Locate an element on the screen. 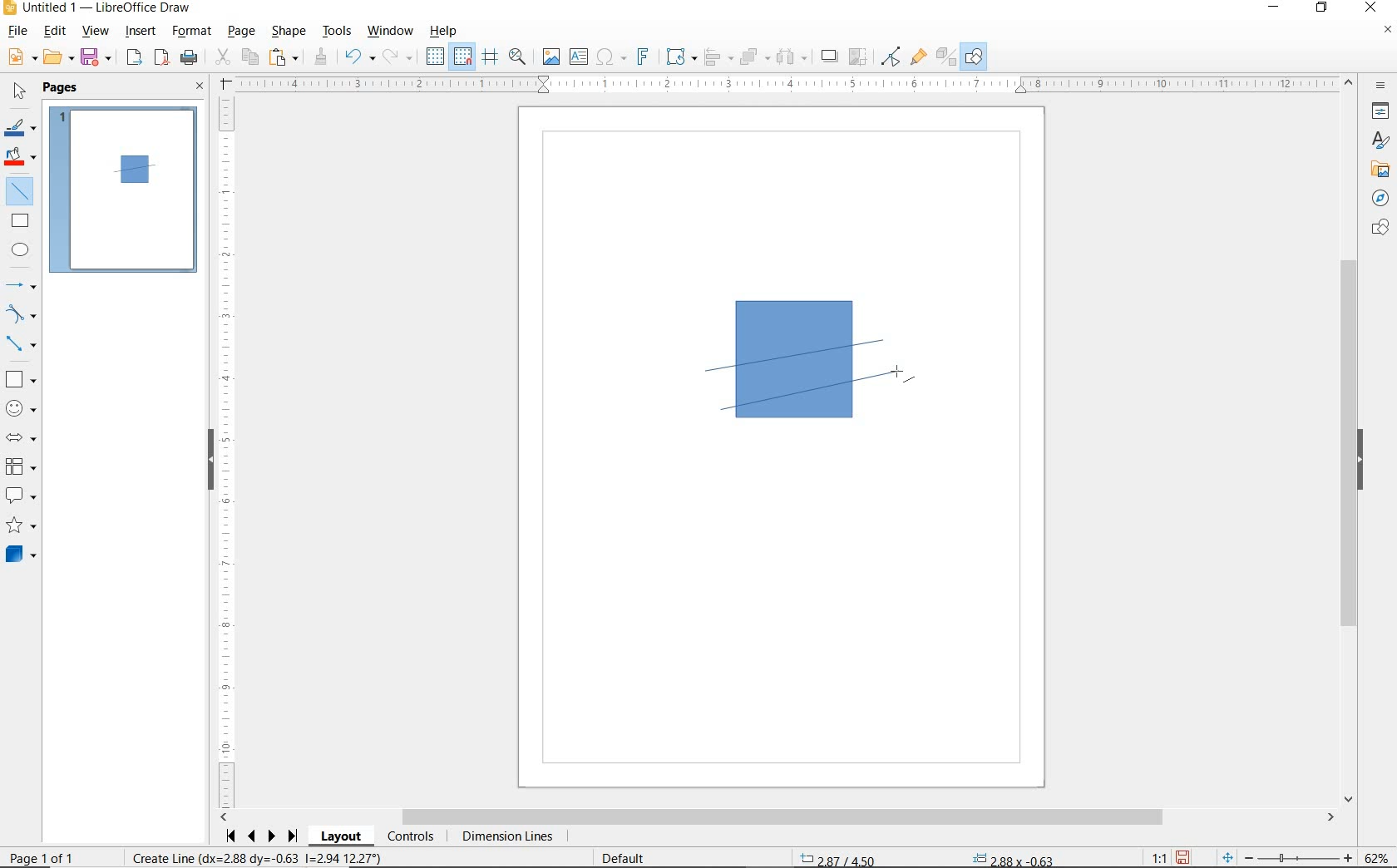 The width and height of the screenshot is (1397, 868). BASIC SHAPES is located at coordinates (19, 377).